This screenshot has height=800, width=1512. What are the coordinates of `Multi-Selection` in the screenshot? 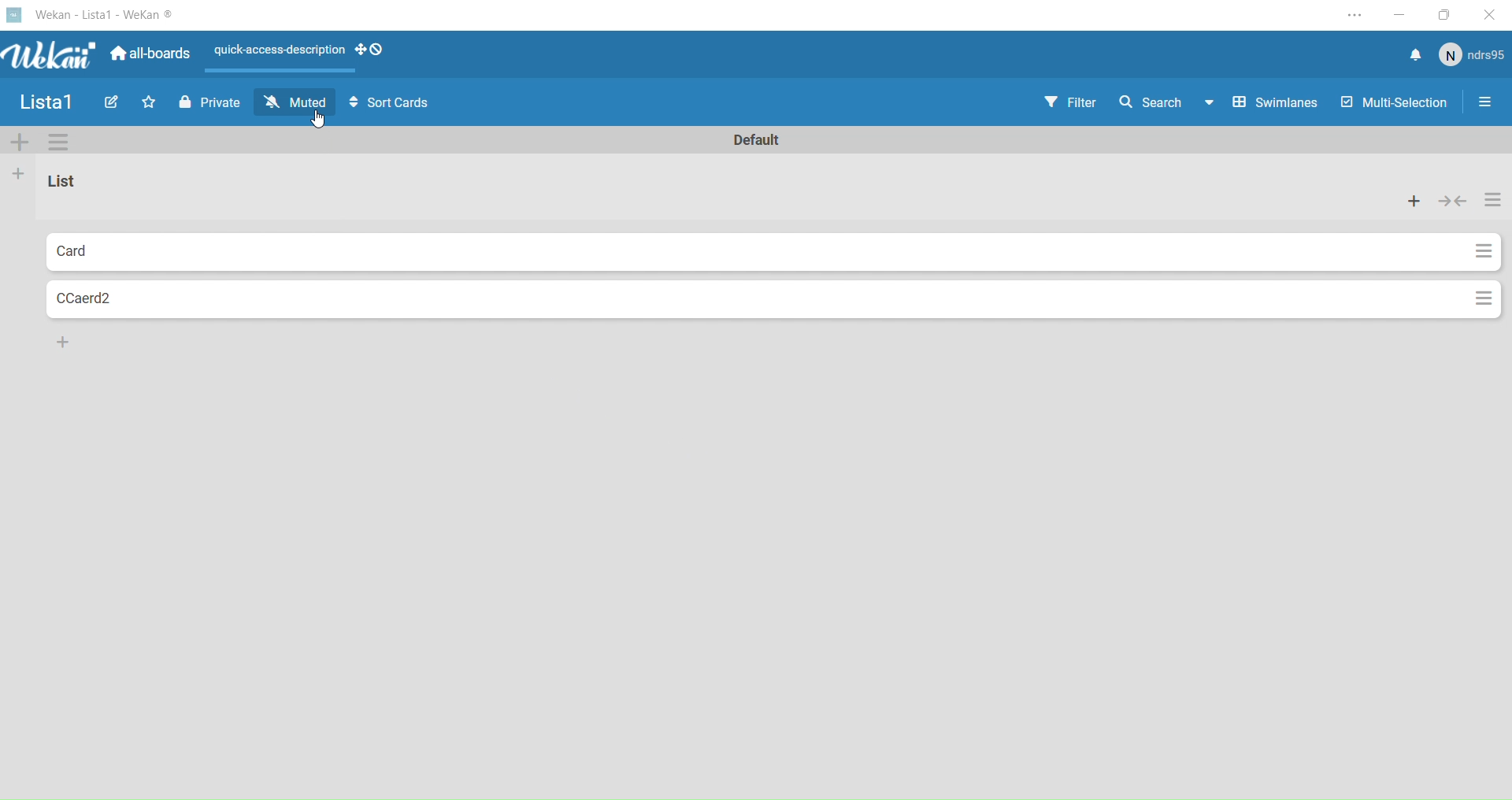 It's located at (1390, 103).